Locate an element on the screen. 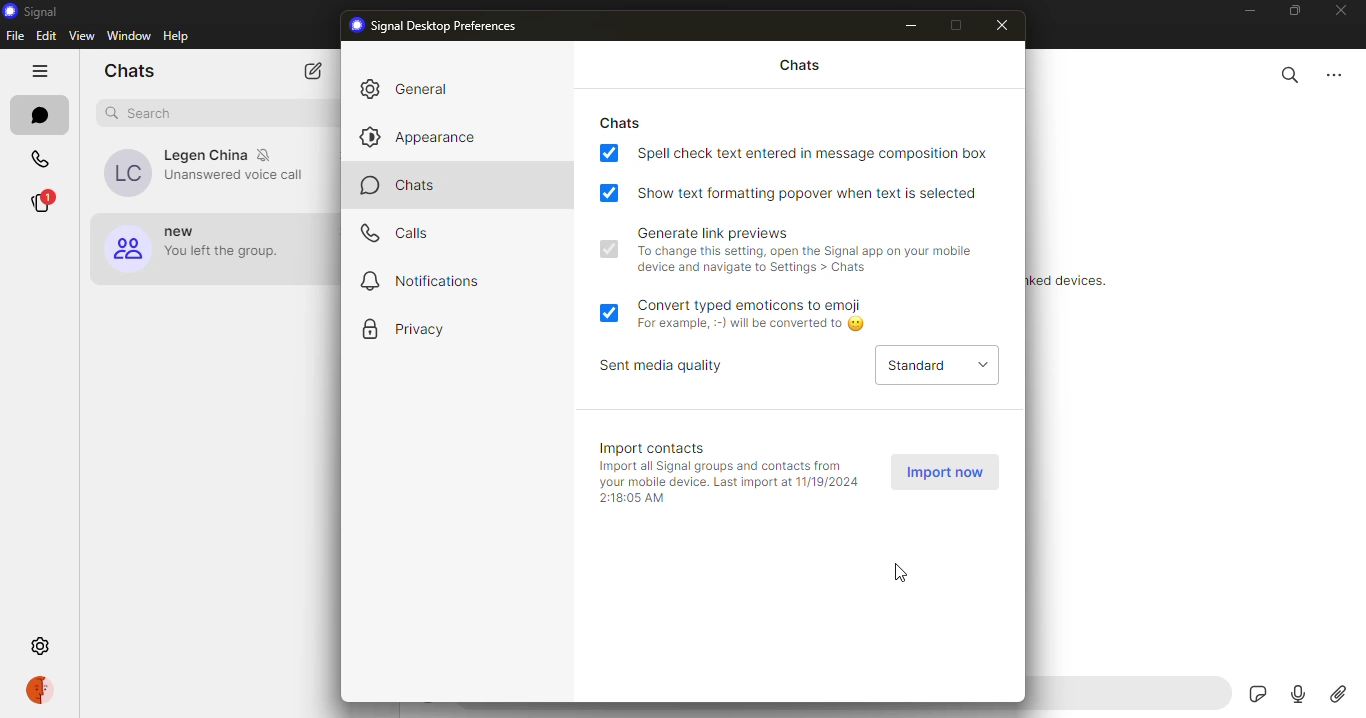 The height and width of the screenshot is (718, 1366). sticker is located at coordinates (1257, 695).